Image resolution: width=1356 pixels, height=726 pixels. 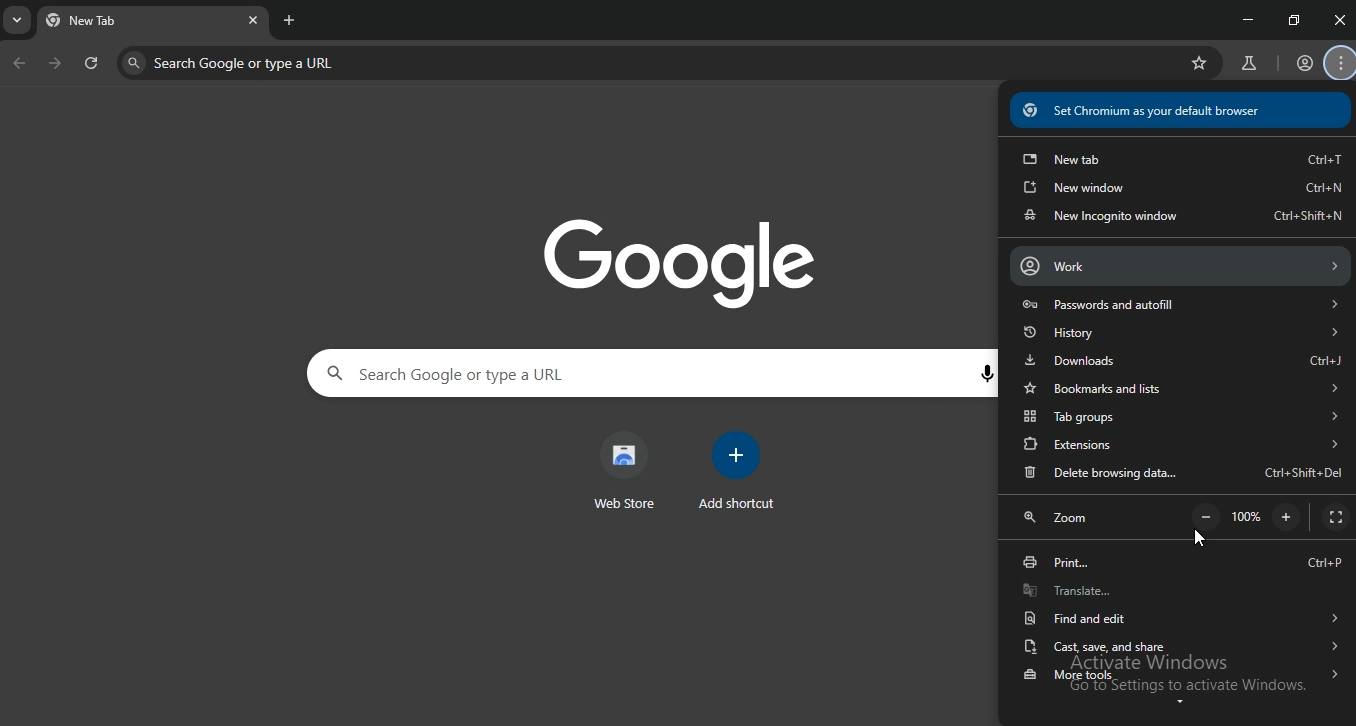 What do you see at coordinates (19, 23) in the screenshot?
I see `search tabs` at bounding box center [19, 23].